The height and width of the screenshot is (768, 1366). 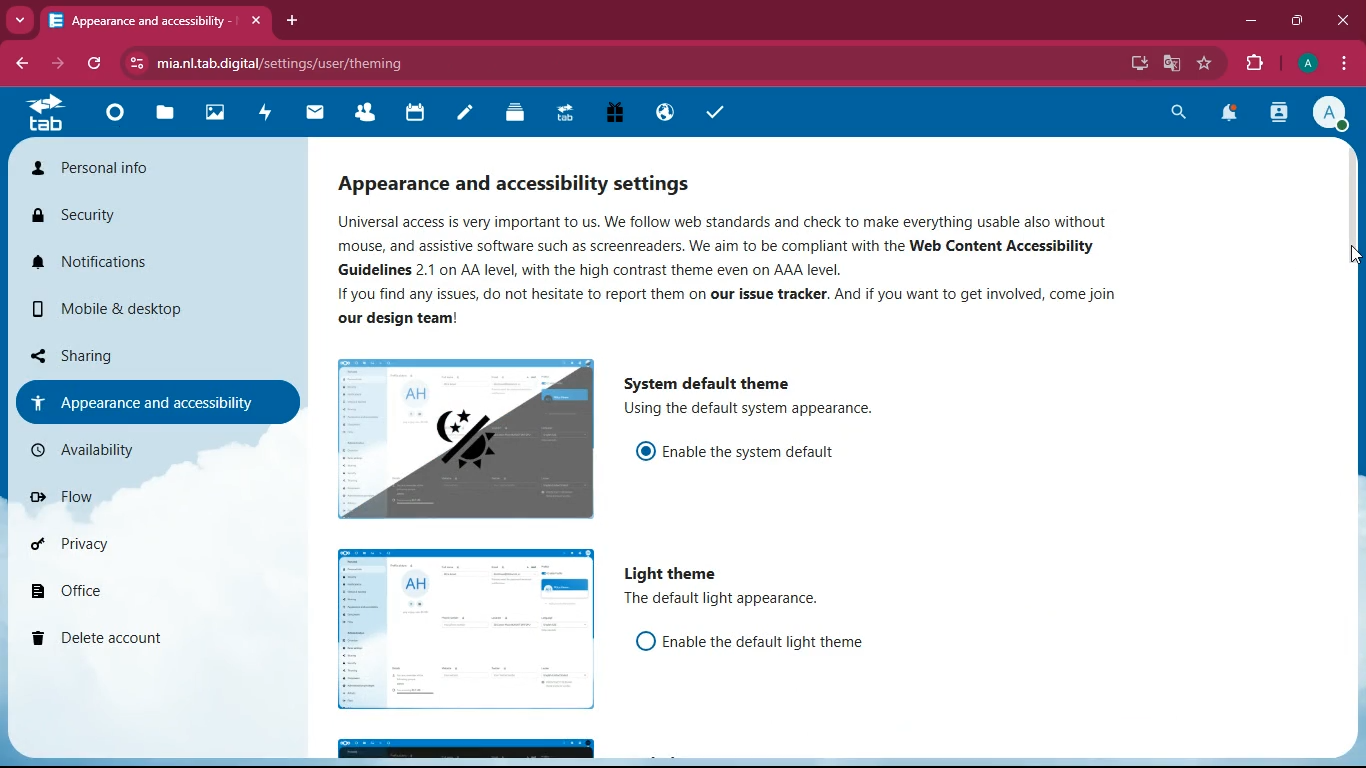 What do you see at coordinates (137, 261) in the screenshot?
I see `notifications` at bounding box center [137, 261].